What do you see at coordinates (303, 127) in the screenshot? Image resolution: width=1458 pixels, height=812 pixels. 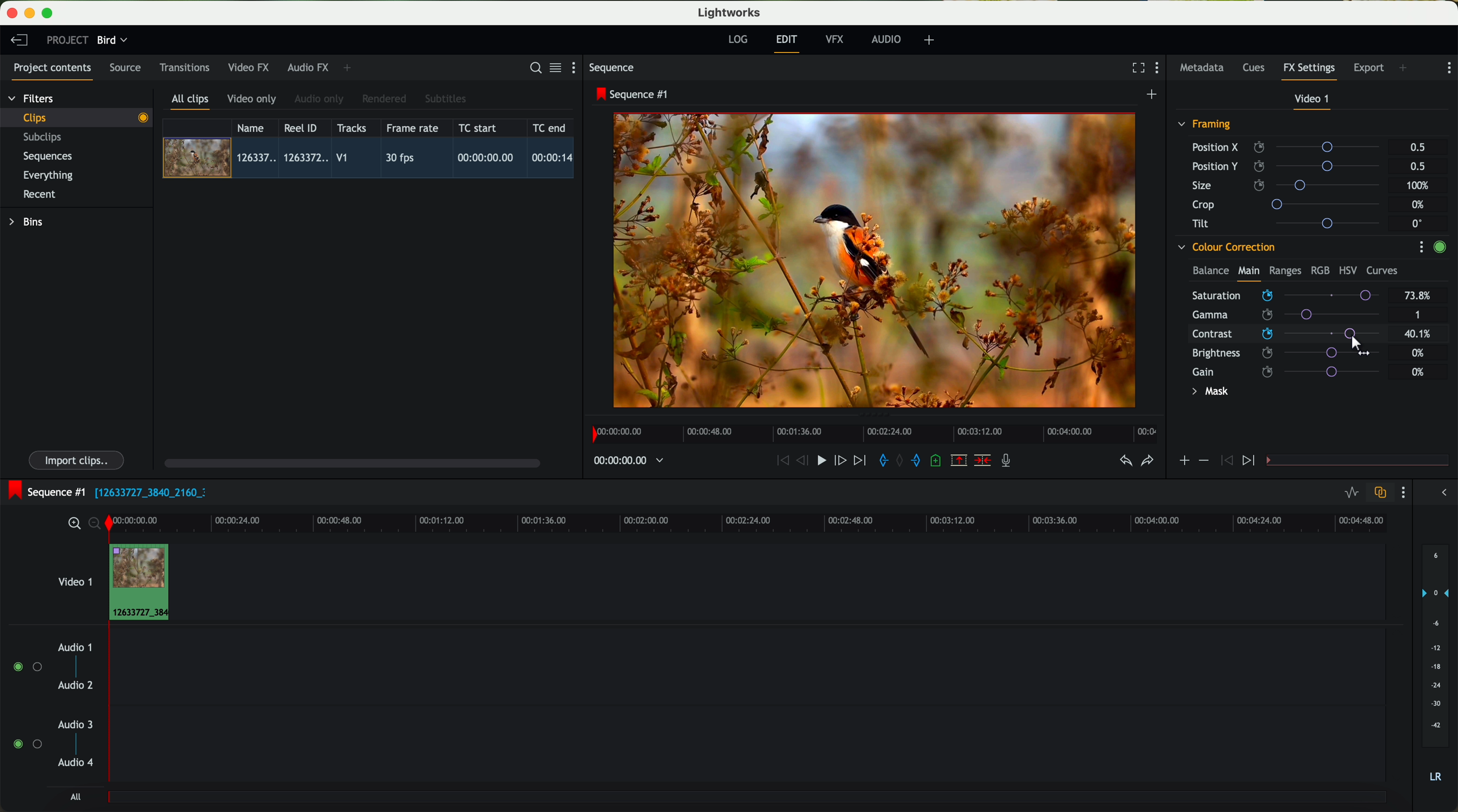 I see `Reel ID` at bounding box center [303, 127].